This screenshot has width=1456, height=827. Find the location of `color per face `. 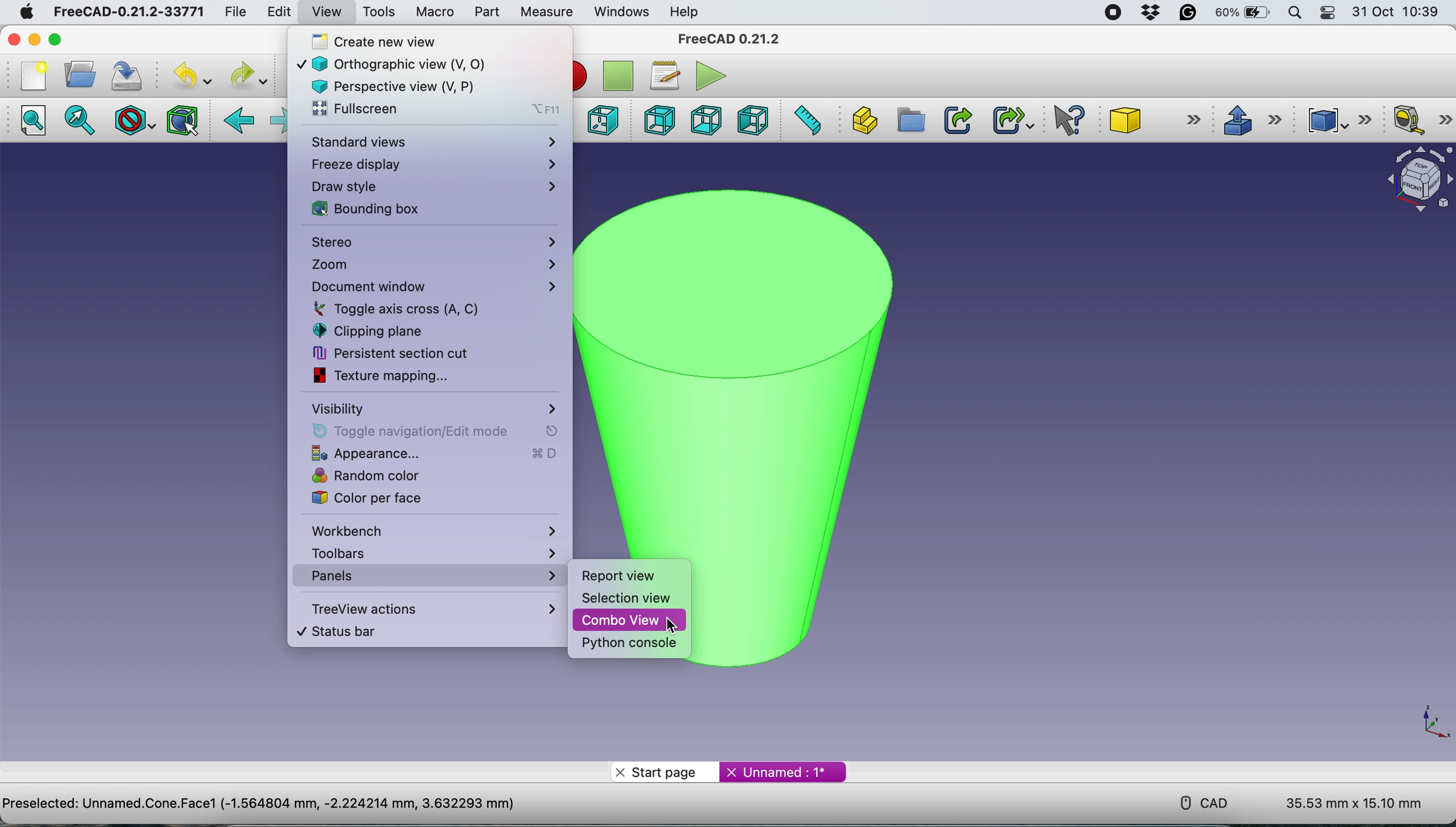

color per face  is located at coordinates (412, 498).